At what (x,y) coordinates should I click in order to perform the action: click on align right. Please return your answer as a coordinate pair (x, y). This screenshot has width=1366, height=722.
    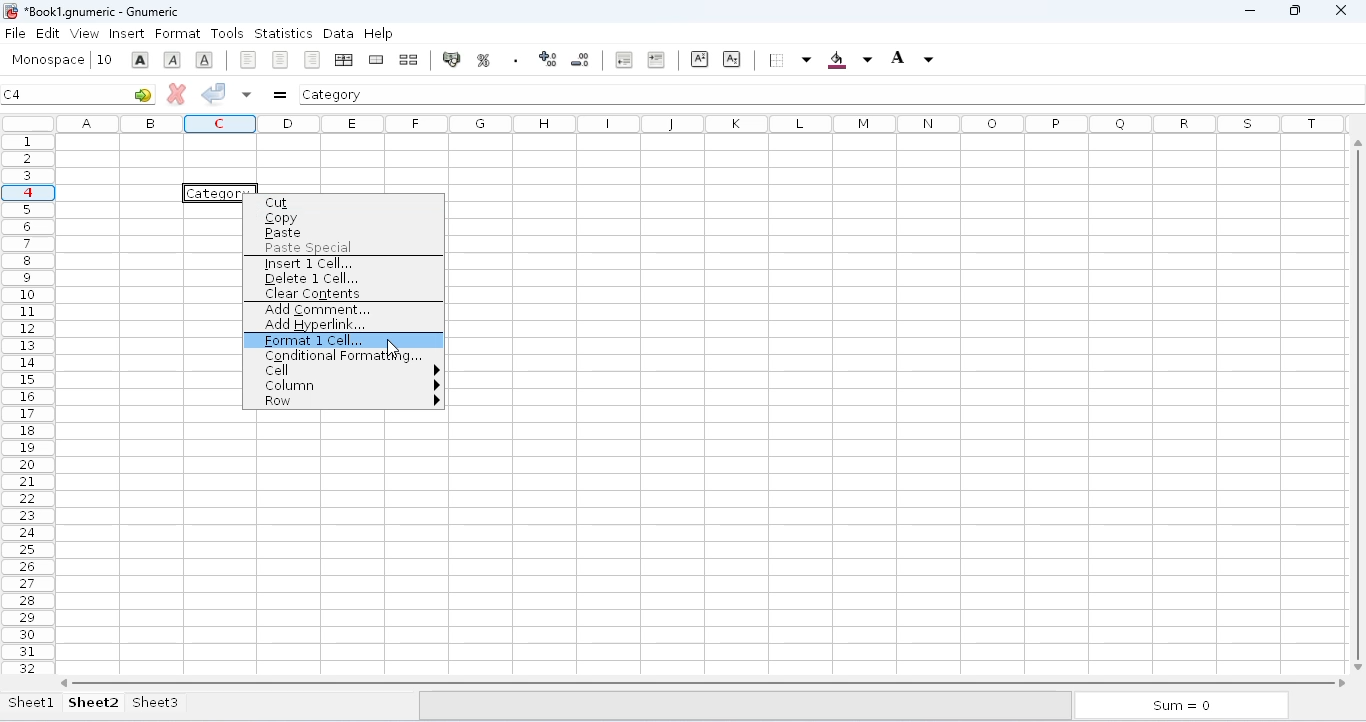
    Looking at the image, I should click on (312, 59).